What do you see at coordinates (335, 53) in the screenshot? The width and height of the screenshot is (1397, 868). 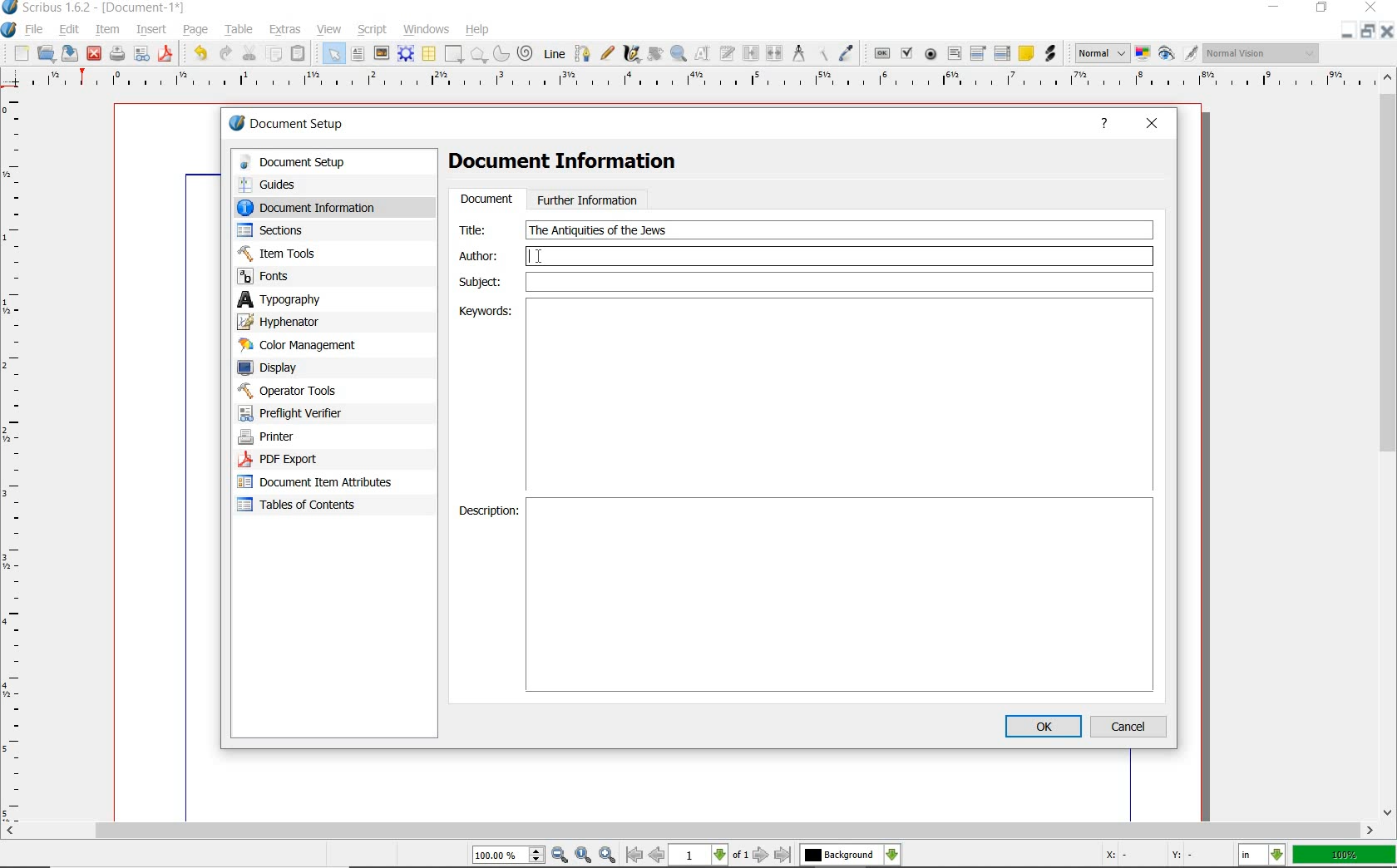 I see `select` at bounding box center [335, 53].